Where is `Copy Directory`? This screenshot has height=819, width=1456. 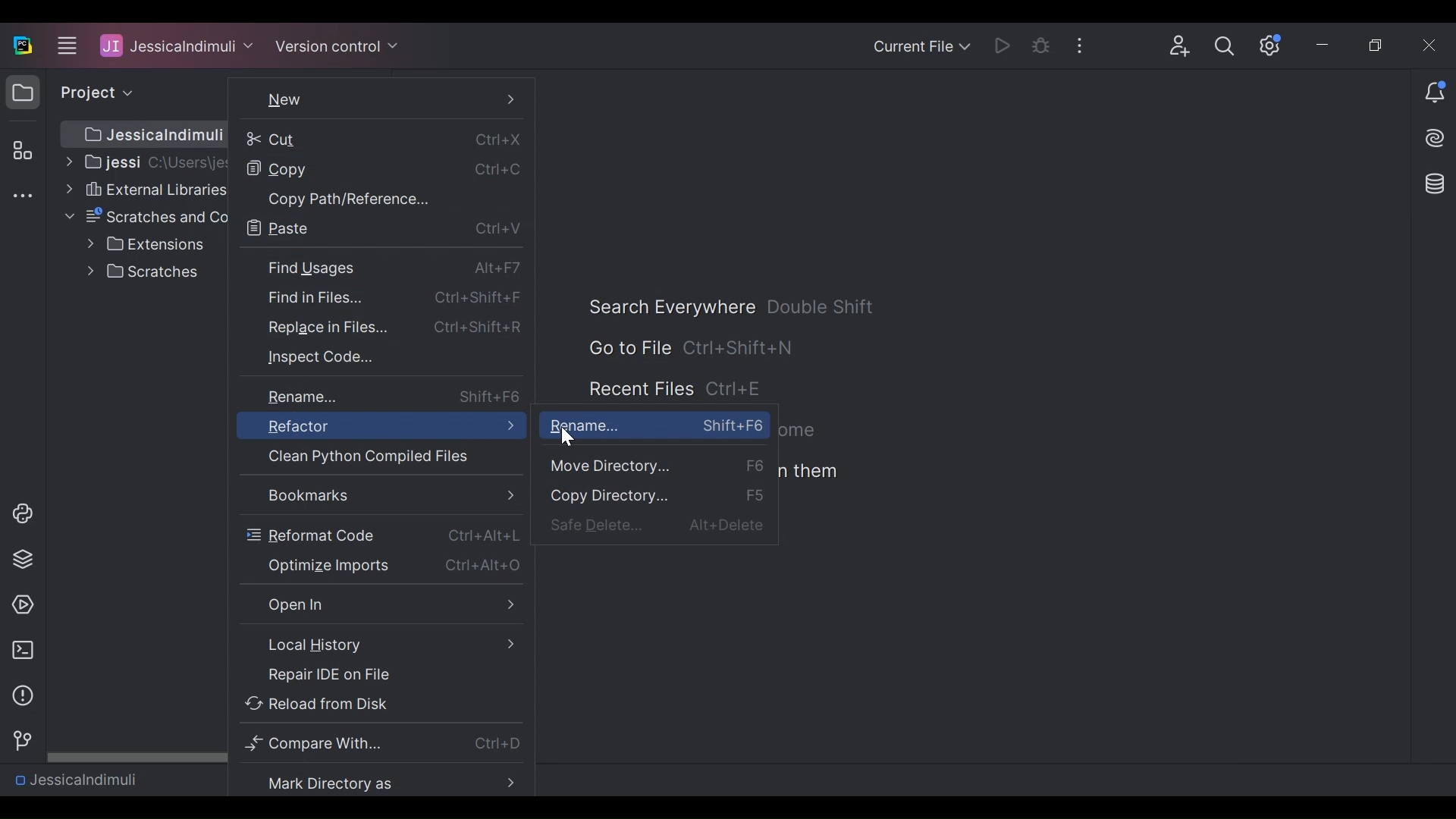
Copy Directory is located at coordinates (659, 496).